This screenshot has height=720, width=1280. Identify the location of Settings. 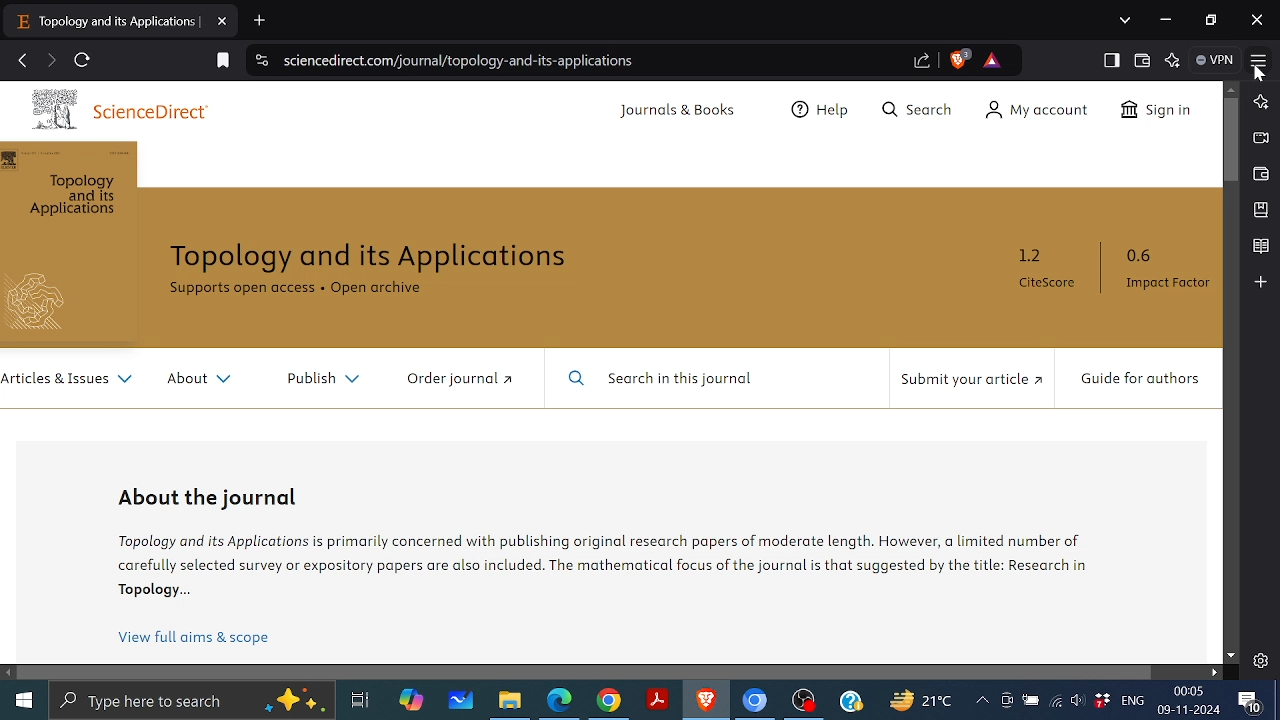
(1262, 660).